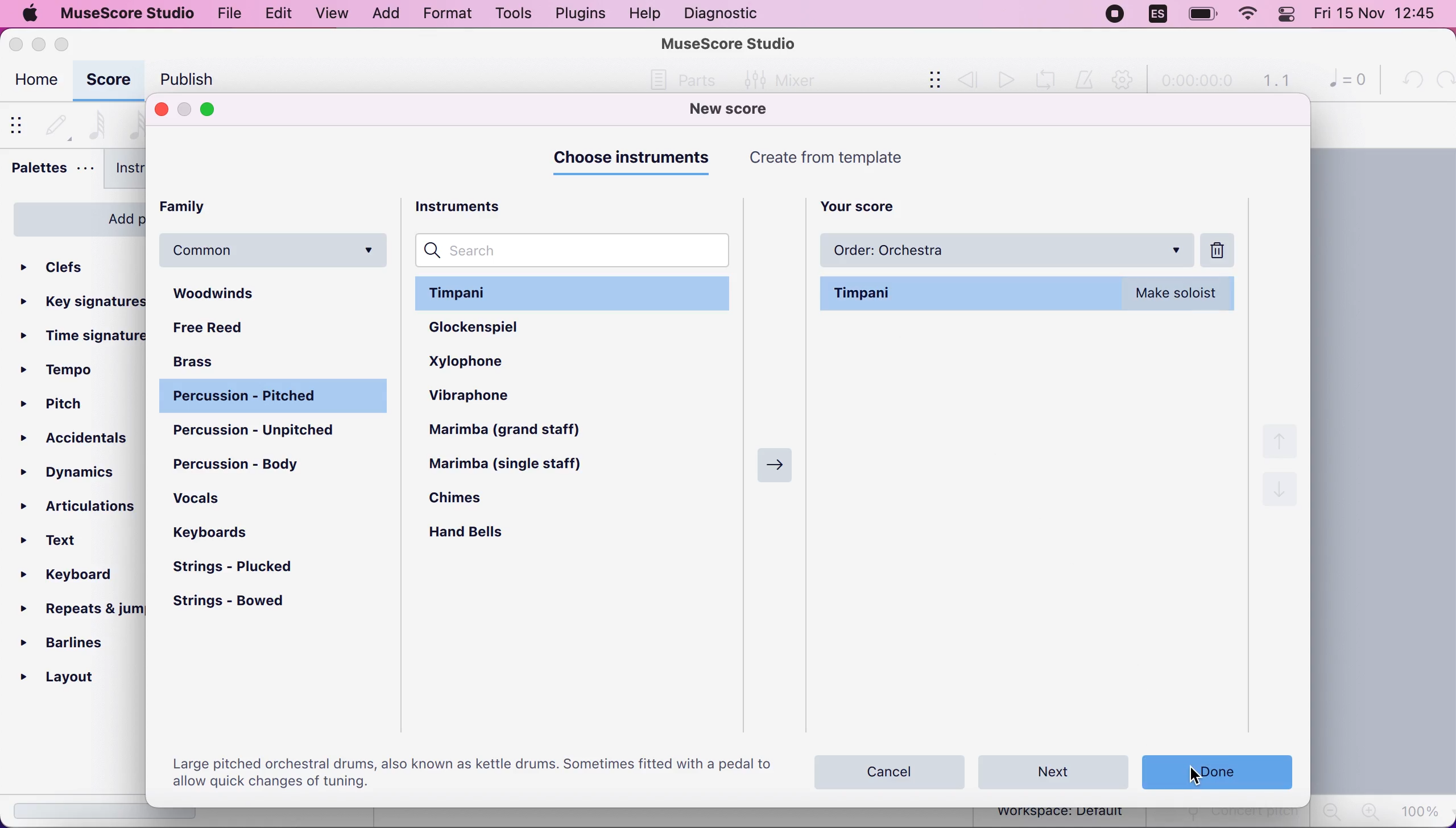 The height and width of the screenshot is (828, 1456). What do you see at coordinates (74, 263) in the screenshot?
I see `clefs` at bounding box center [74, 263].